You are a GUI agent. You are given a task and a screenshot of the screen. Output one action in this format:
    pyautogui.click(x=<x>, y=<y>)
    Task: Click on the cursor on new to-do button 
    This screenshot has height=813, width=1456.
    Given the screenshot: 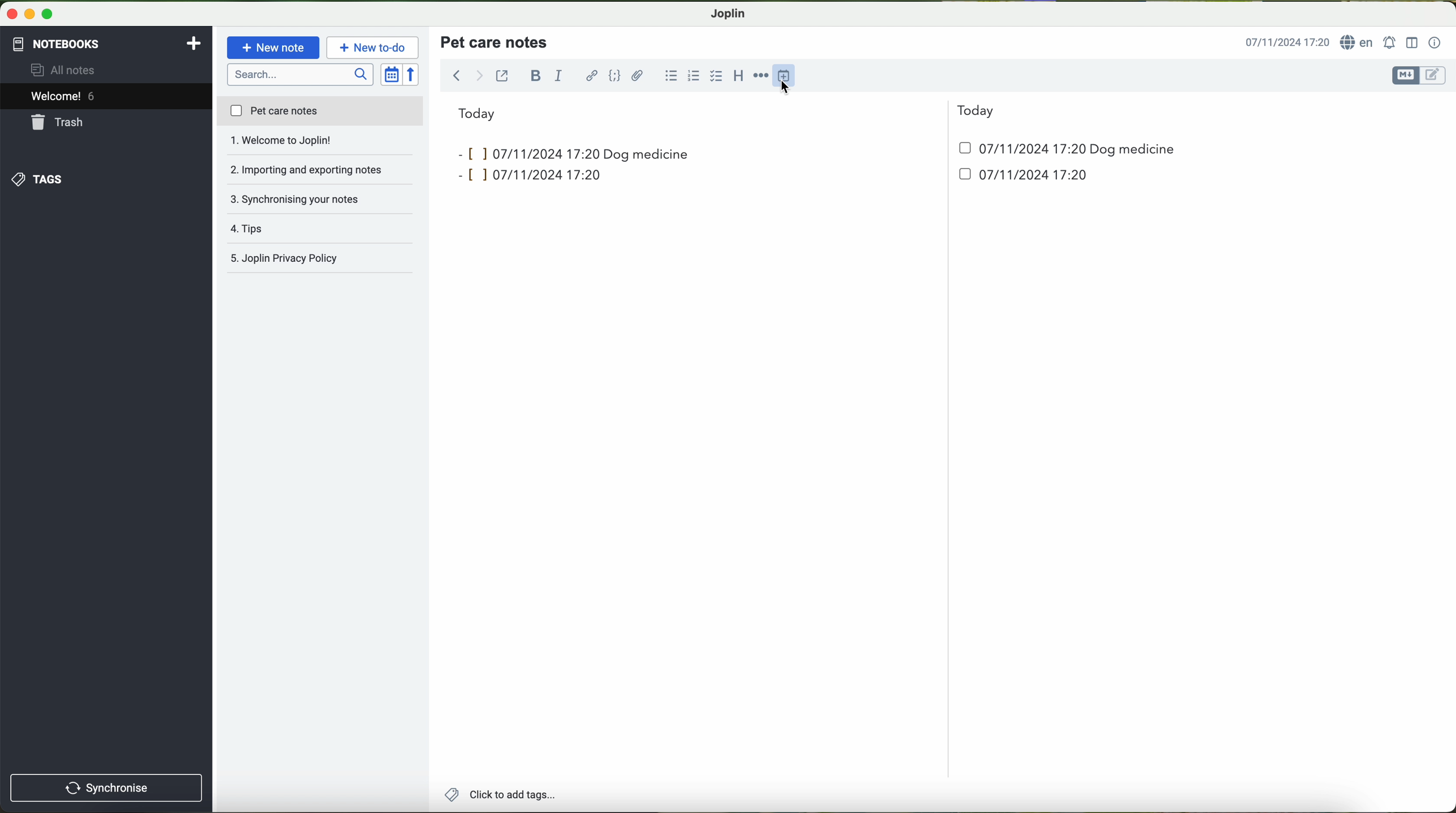 What is the action you would take?
    pyautogui.click(x=374, y=48)
    